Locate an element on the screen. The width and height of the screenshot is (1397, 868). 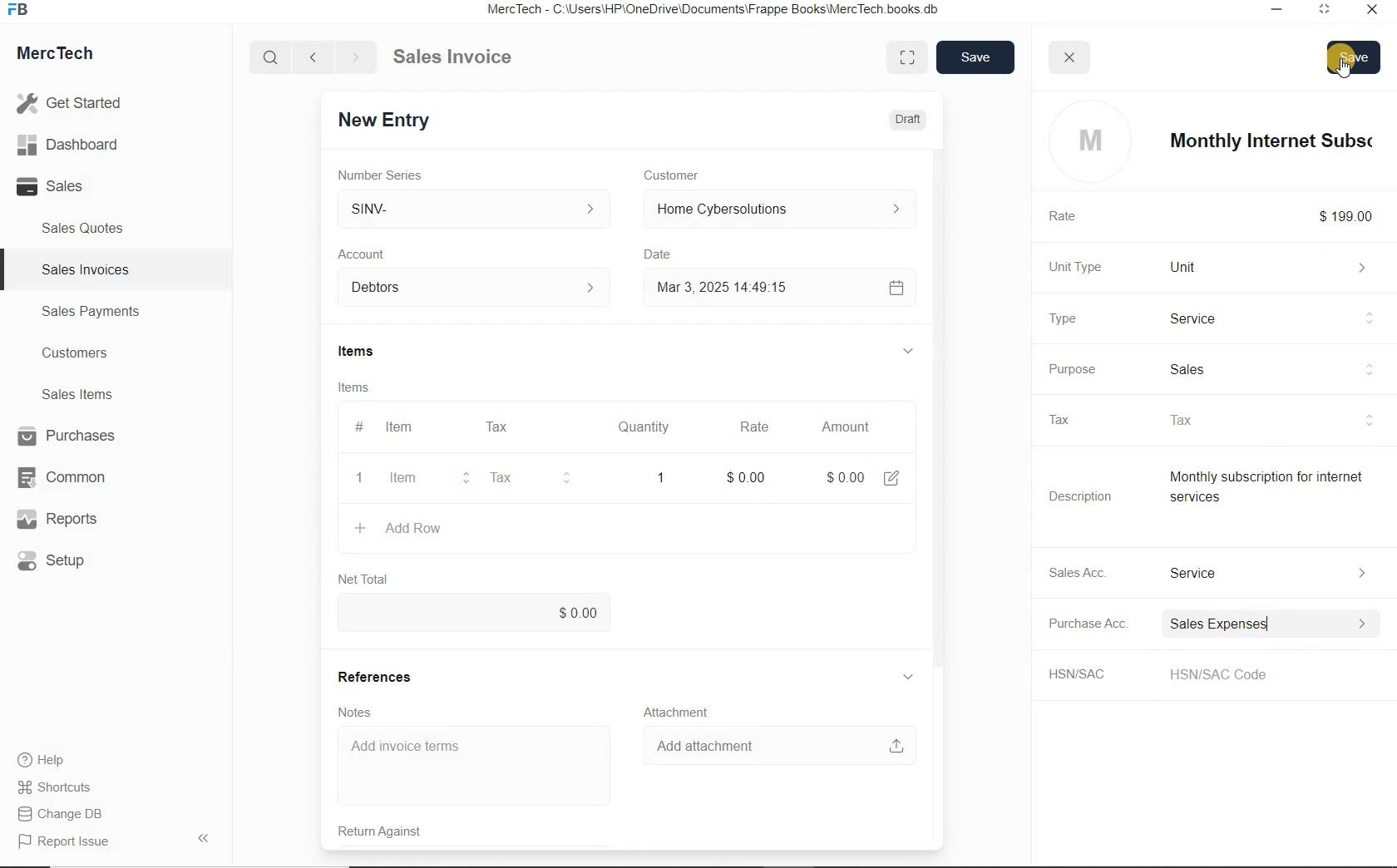
New Entry is located at coordinates (389, 119).